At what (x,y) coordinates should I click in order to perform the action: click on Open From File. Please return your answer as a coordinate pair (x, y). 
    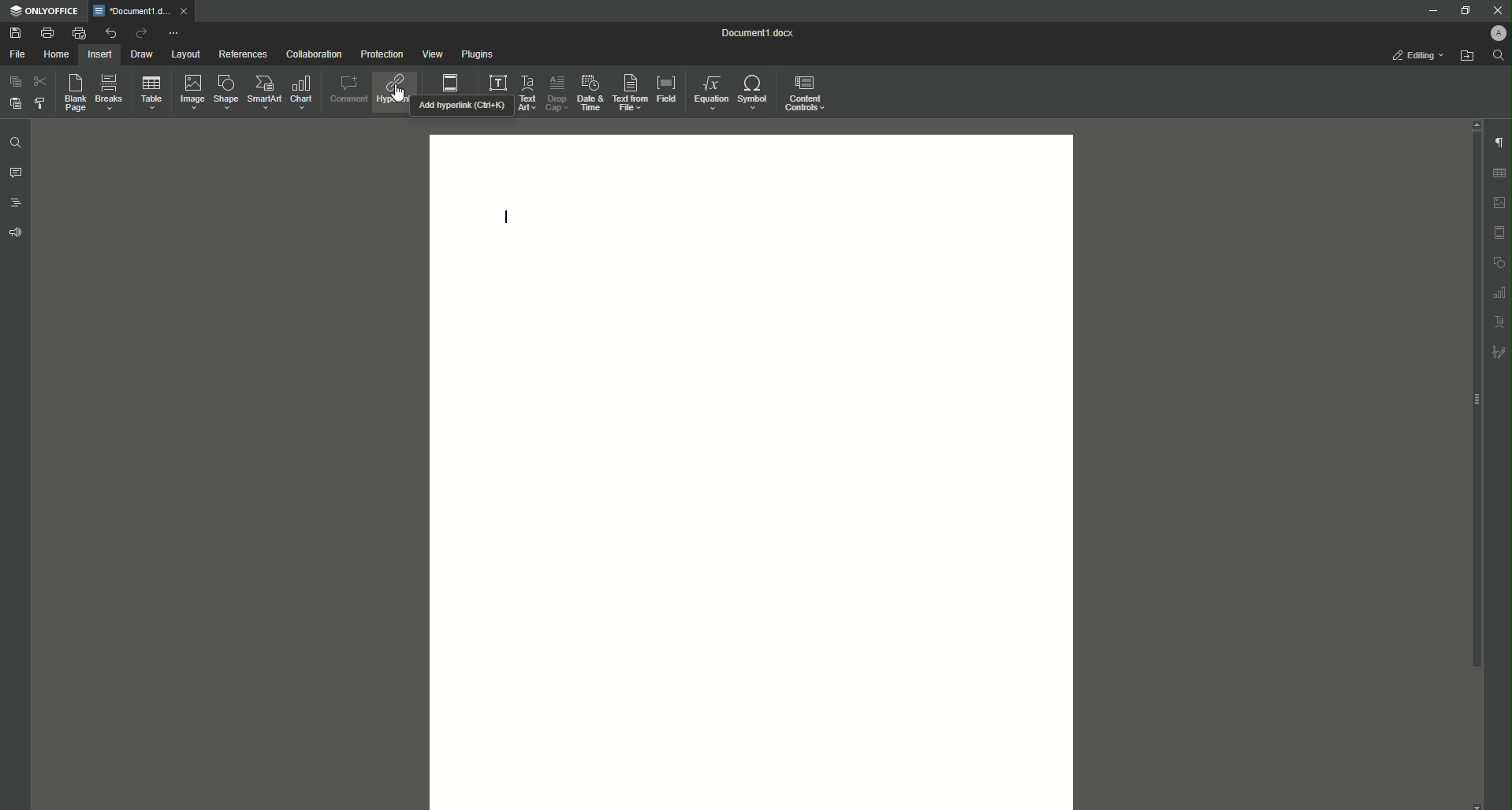
    Looking at the image, I should click on (1467, 58).